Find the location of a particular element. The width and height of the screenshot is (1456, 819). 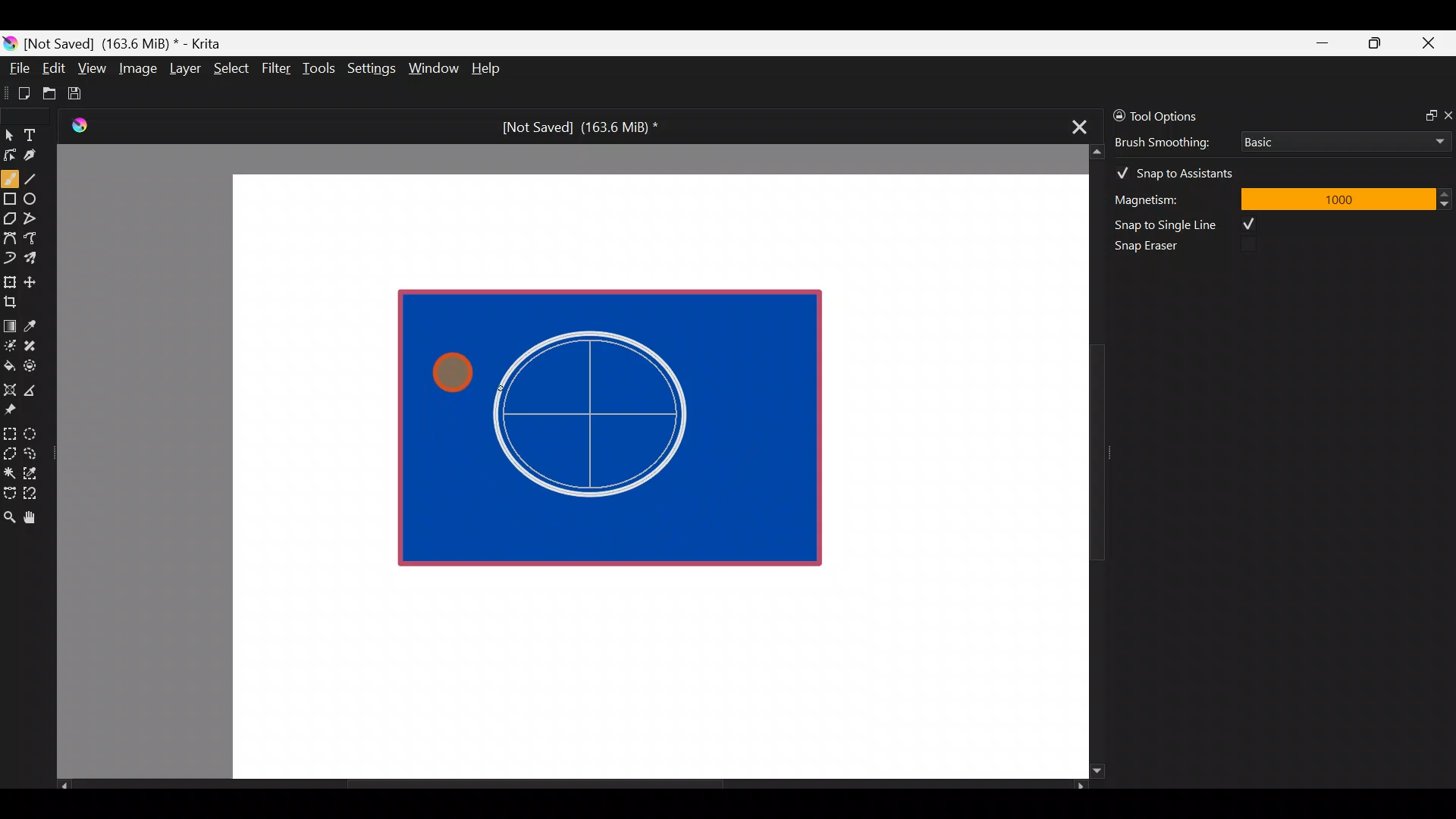

Window is located at coordinates (433, 70).